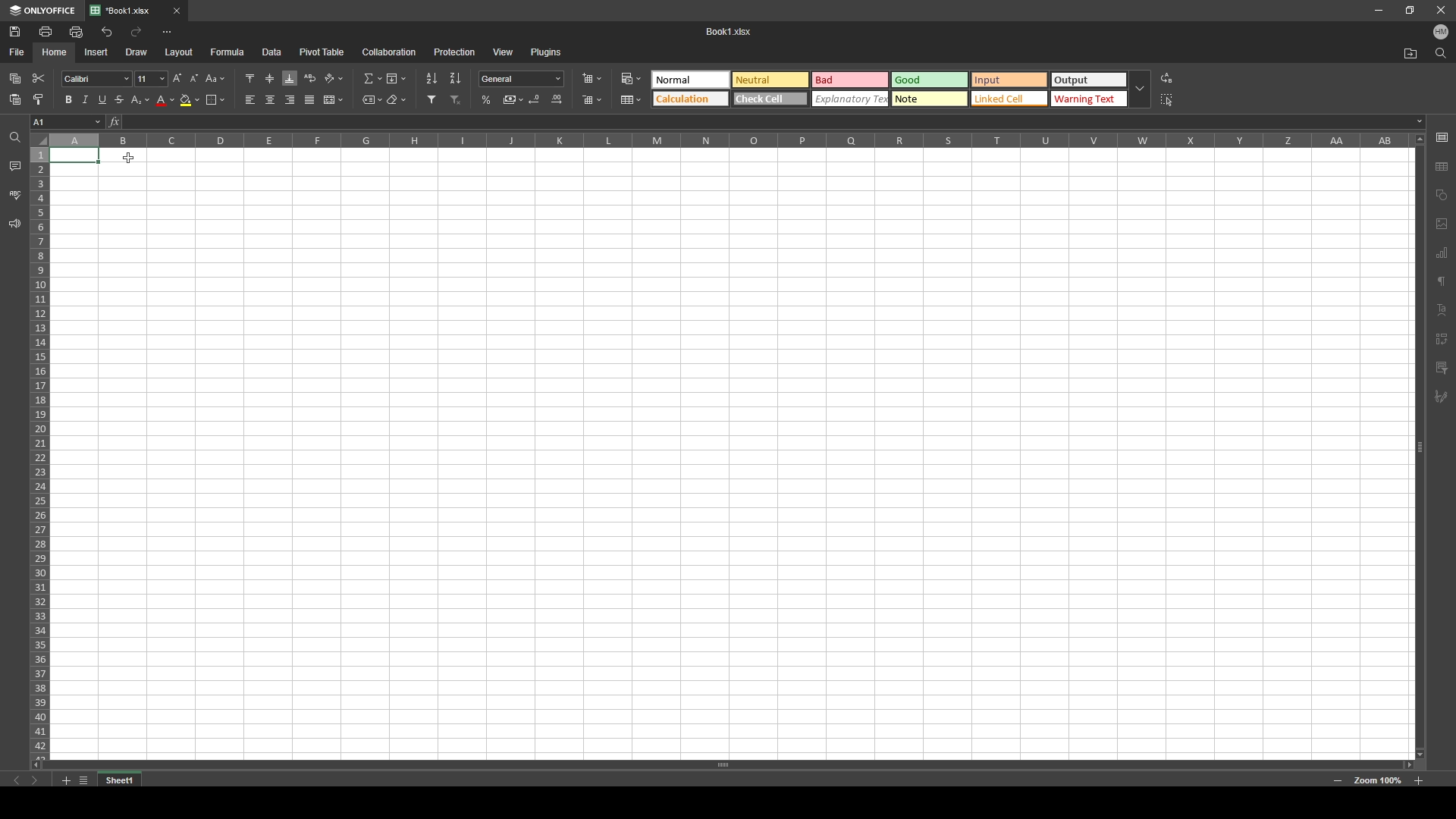 This screenshot has height=819, width=1456. What do you see at coordinates (97, 79) in the screenshot?
I see `font style` at bounding box center [97, 79].